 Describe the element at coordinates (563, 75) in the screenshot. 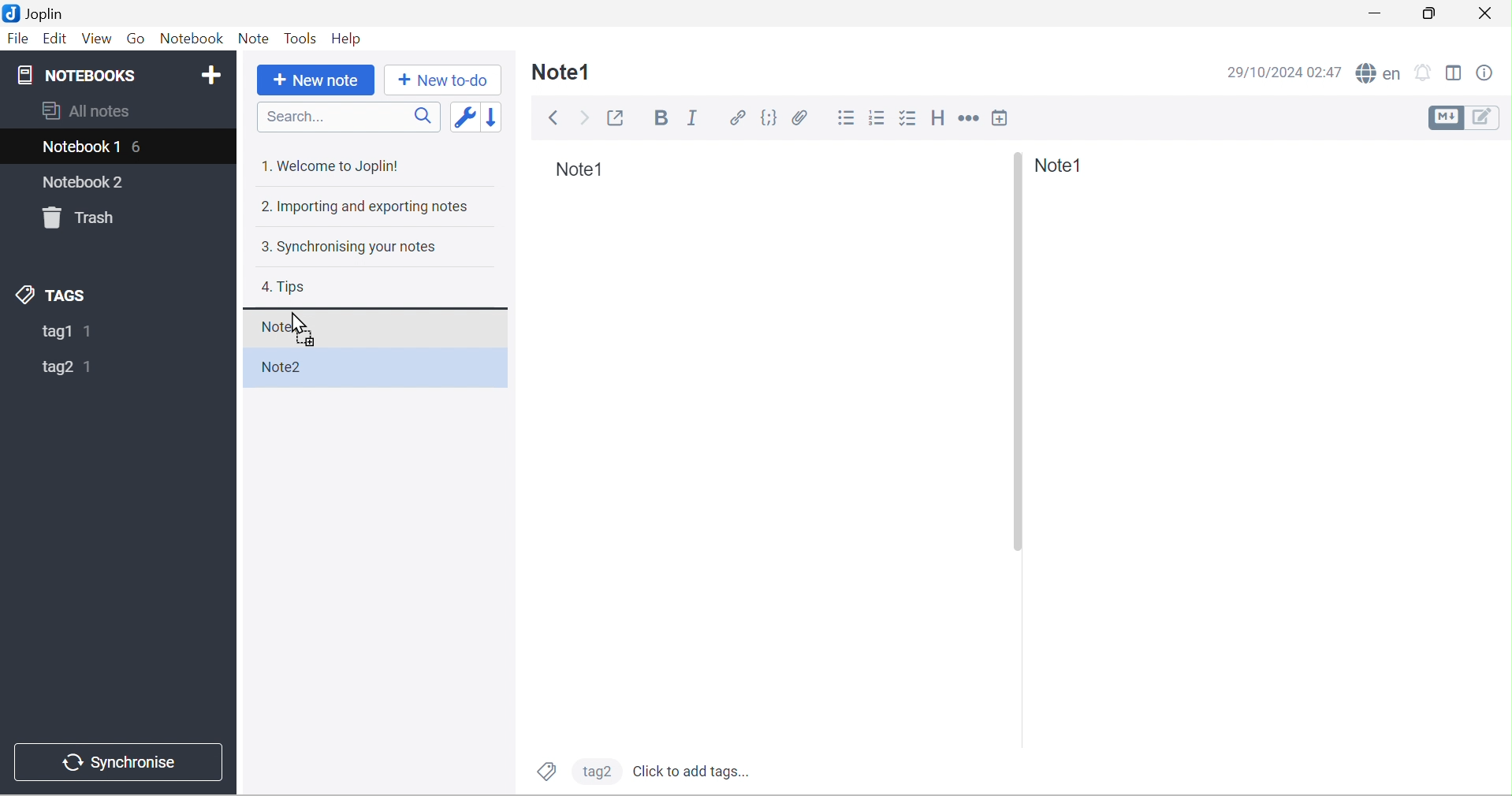

I see `Note1` at that location.